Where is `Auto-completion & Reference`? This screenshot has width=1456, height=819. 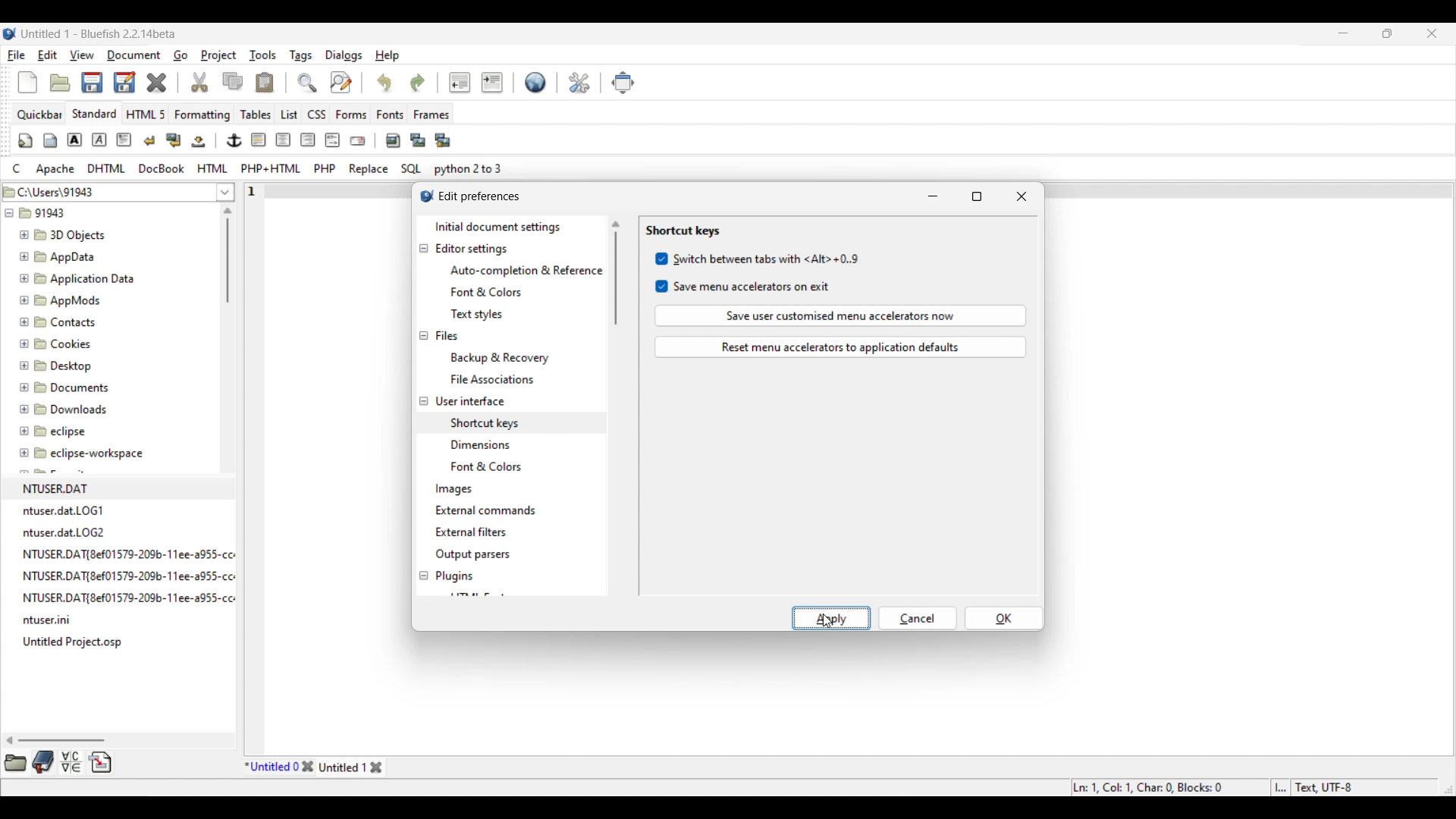 Auto-completion & Reference is located at coordinates (526, 271).